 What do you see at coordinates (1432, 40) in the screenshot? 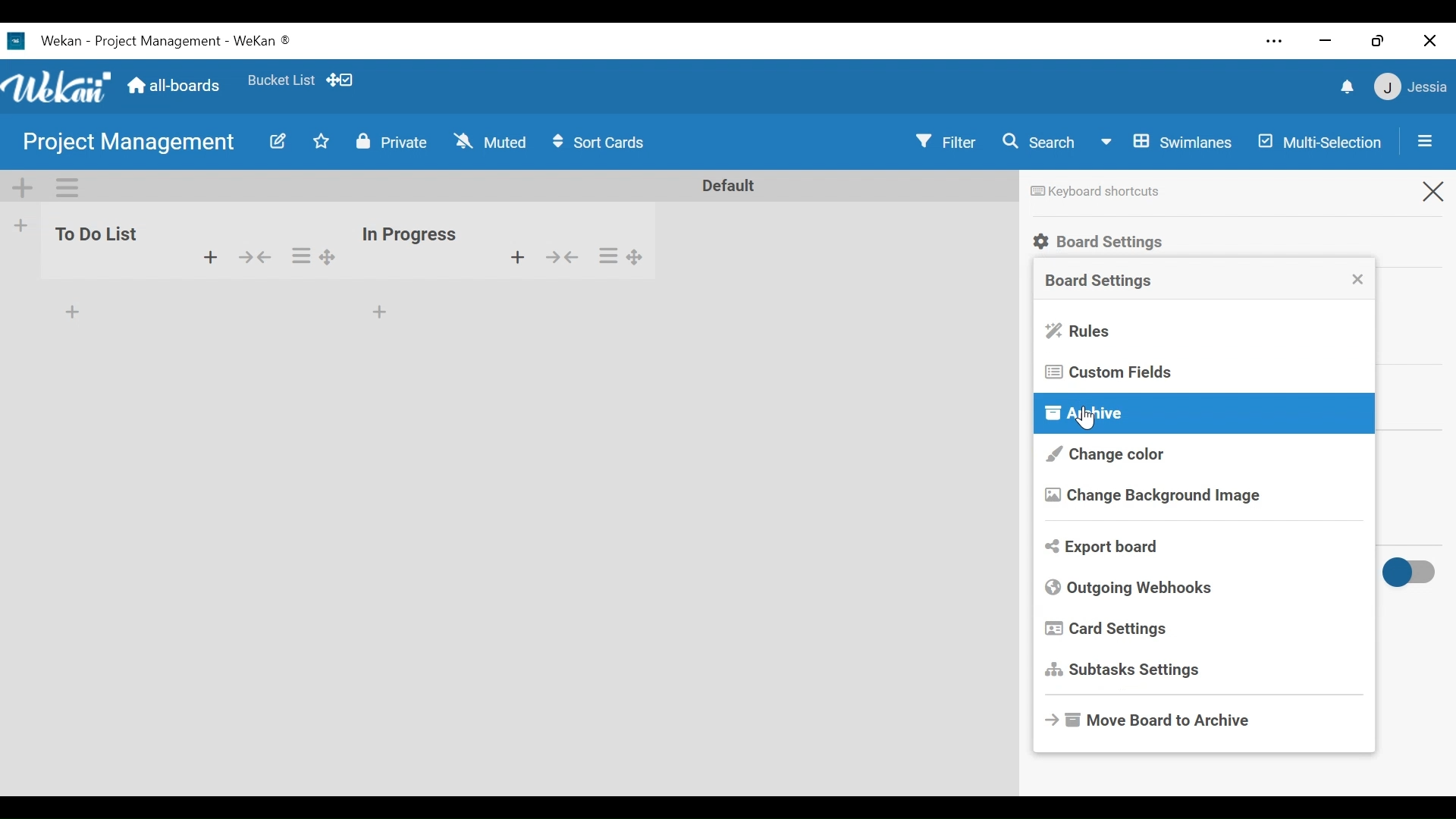
I see `Close` at bounding box center [1432, 40].